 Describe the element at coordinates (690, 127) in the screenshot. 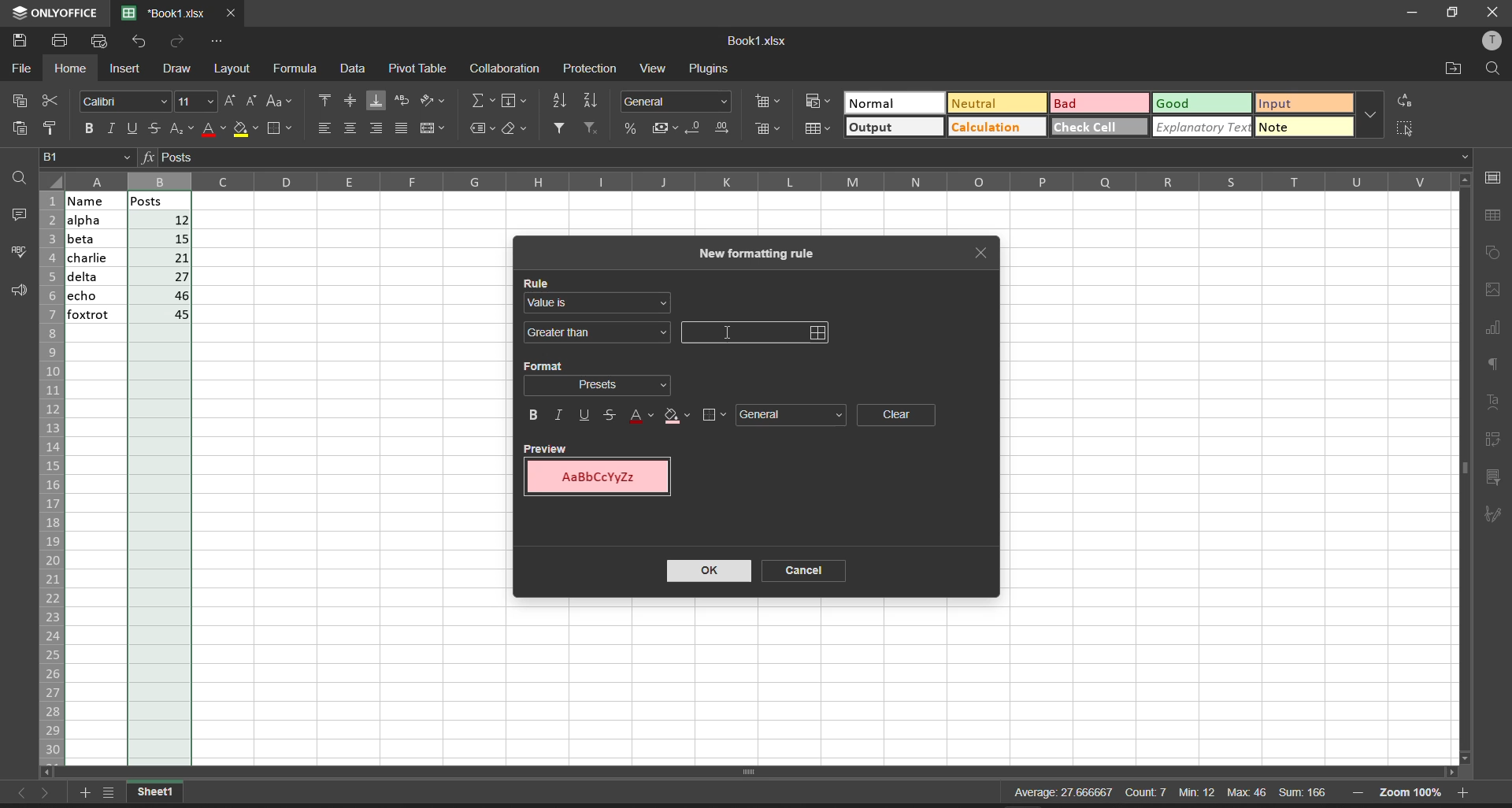

I see `decrease decimal` at that location.